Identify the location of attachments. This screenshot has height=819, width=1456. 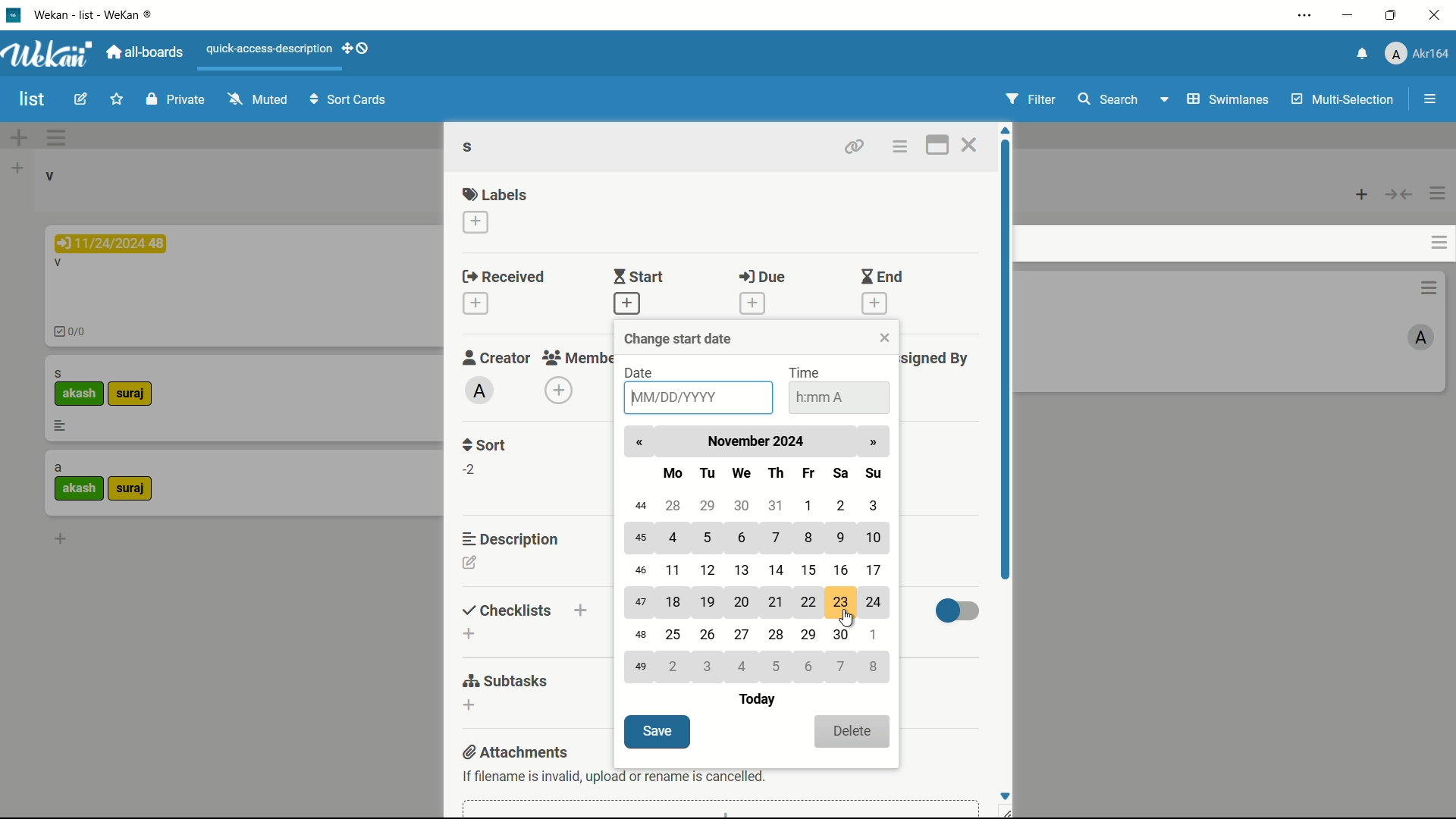
(513, 752).